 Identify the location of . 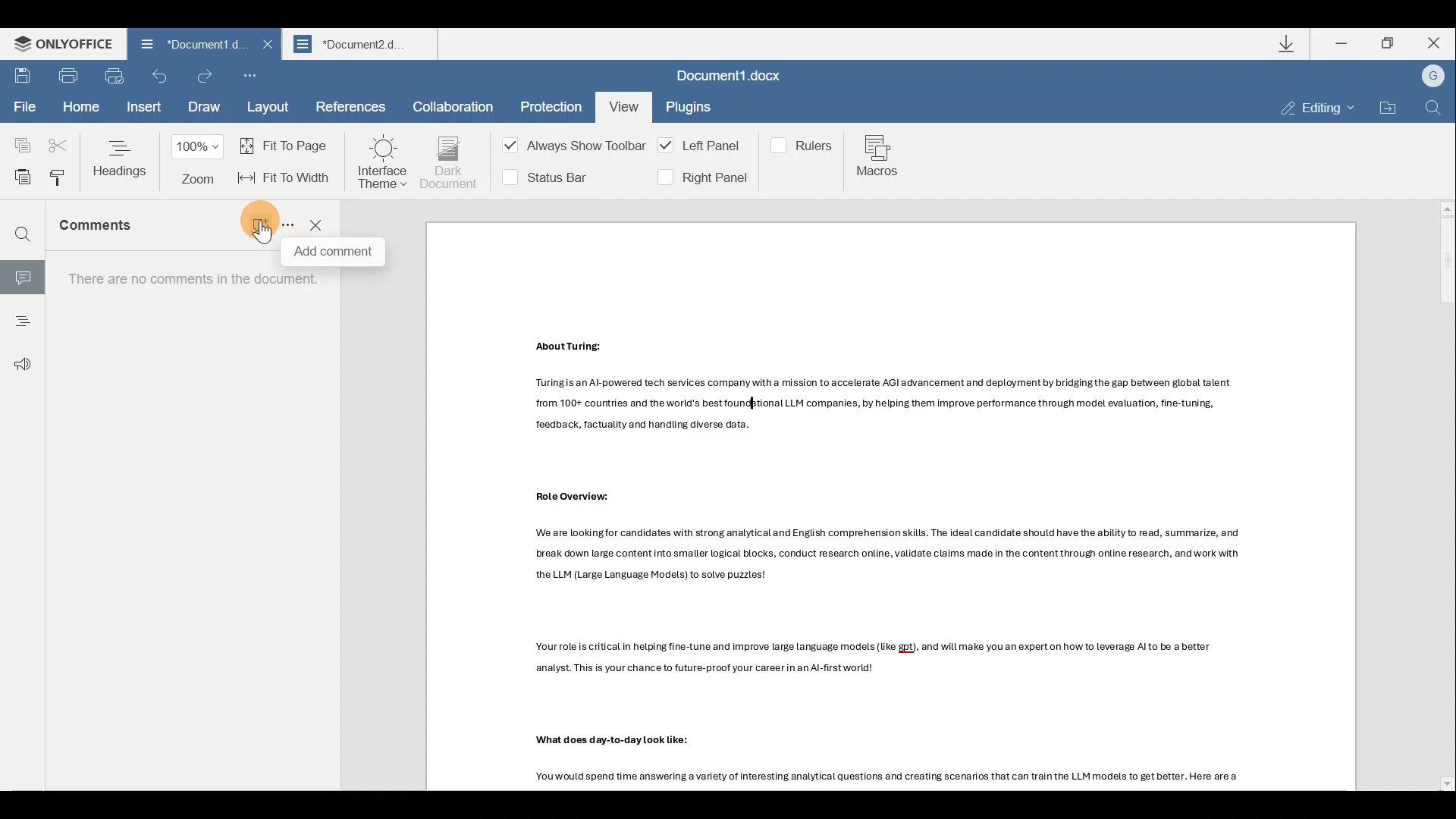
(879, 777).